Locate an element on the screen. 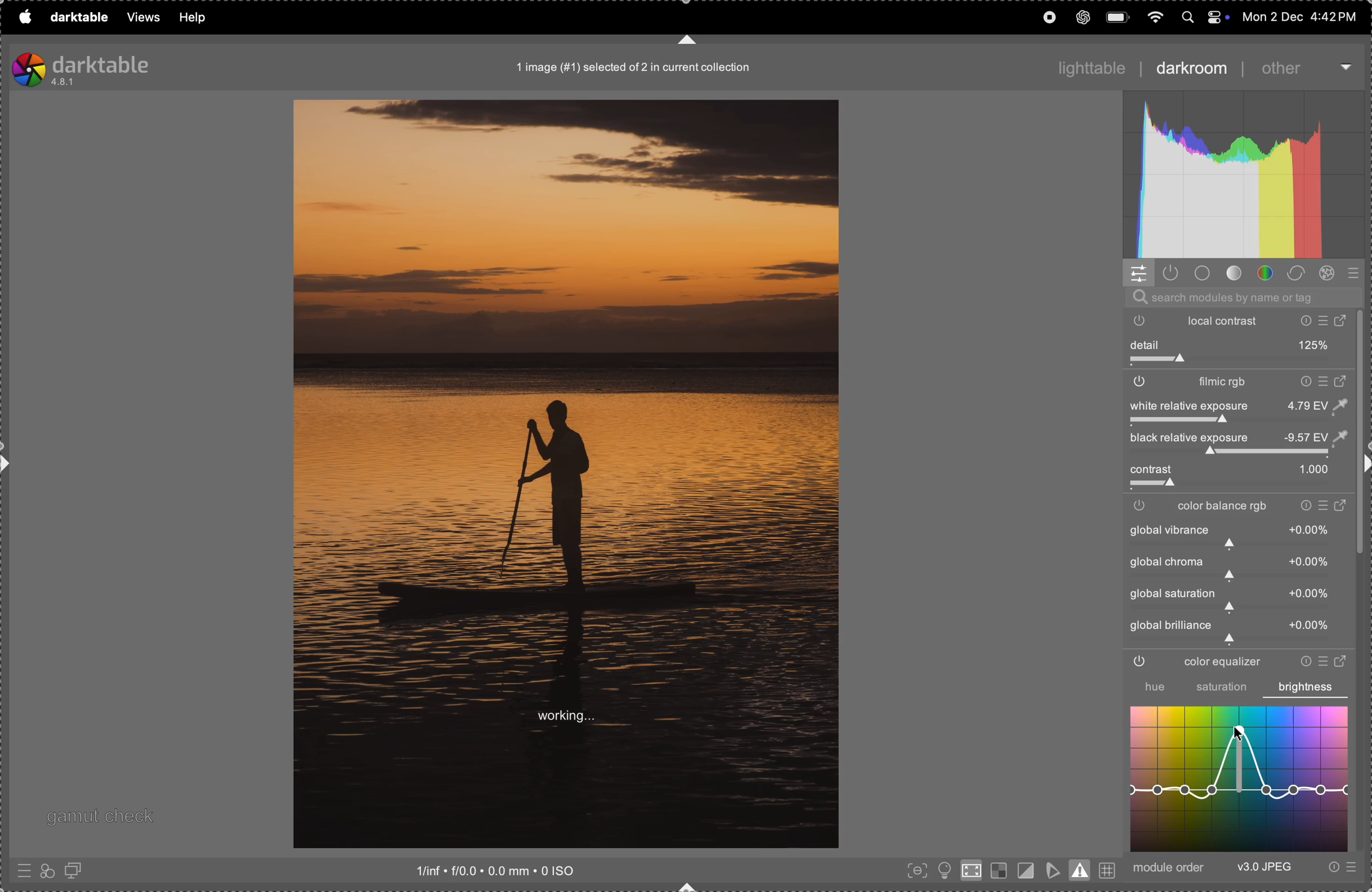 The image size is (1372, 892). filmic rgb is located at coordinates (1238, 383).